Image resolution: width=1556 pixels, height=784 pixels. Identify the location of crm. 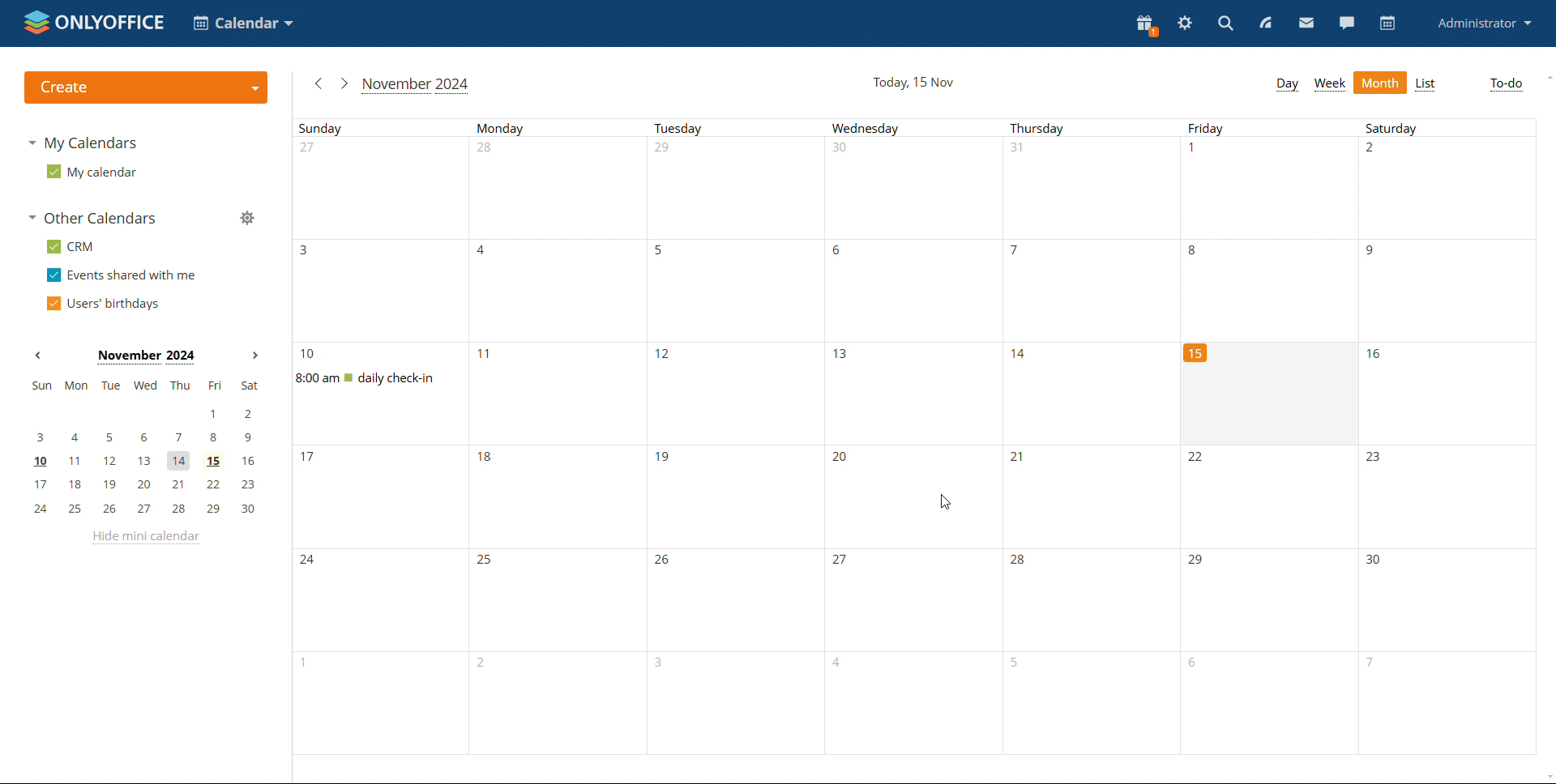
(68, 246).